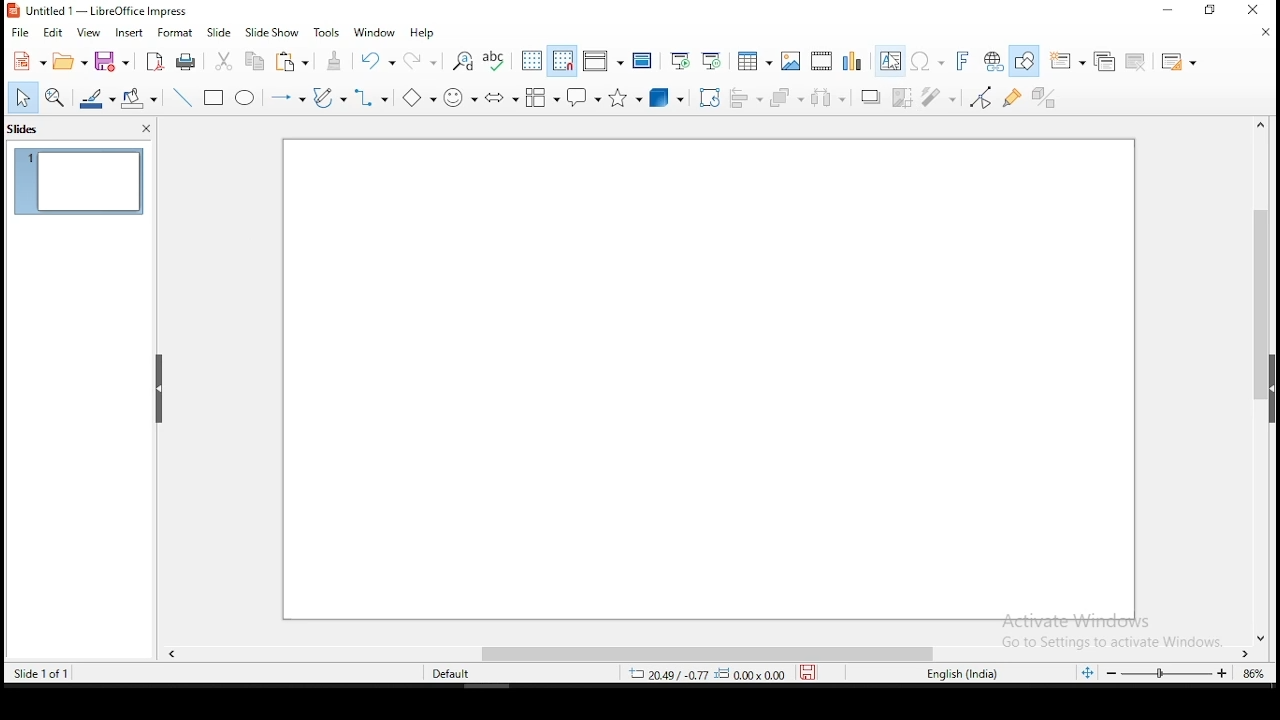 This screenshot has width=1280, height=720. I want to click on line color, so click(93, 99).